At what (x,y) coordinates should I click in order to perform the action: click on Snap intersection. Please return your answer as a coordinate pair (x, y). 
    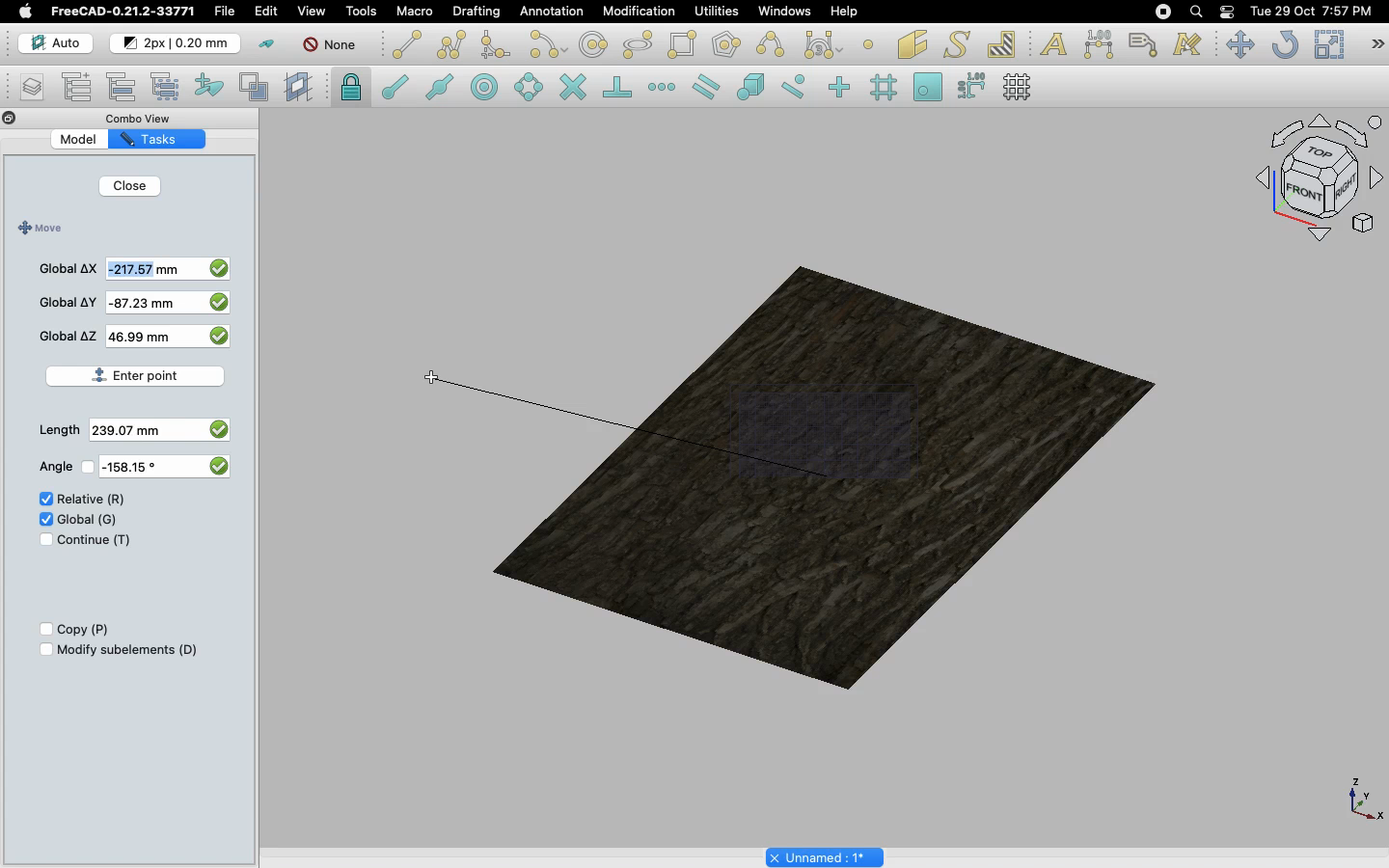
    Looking at the image, I should click on (574, 89).